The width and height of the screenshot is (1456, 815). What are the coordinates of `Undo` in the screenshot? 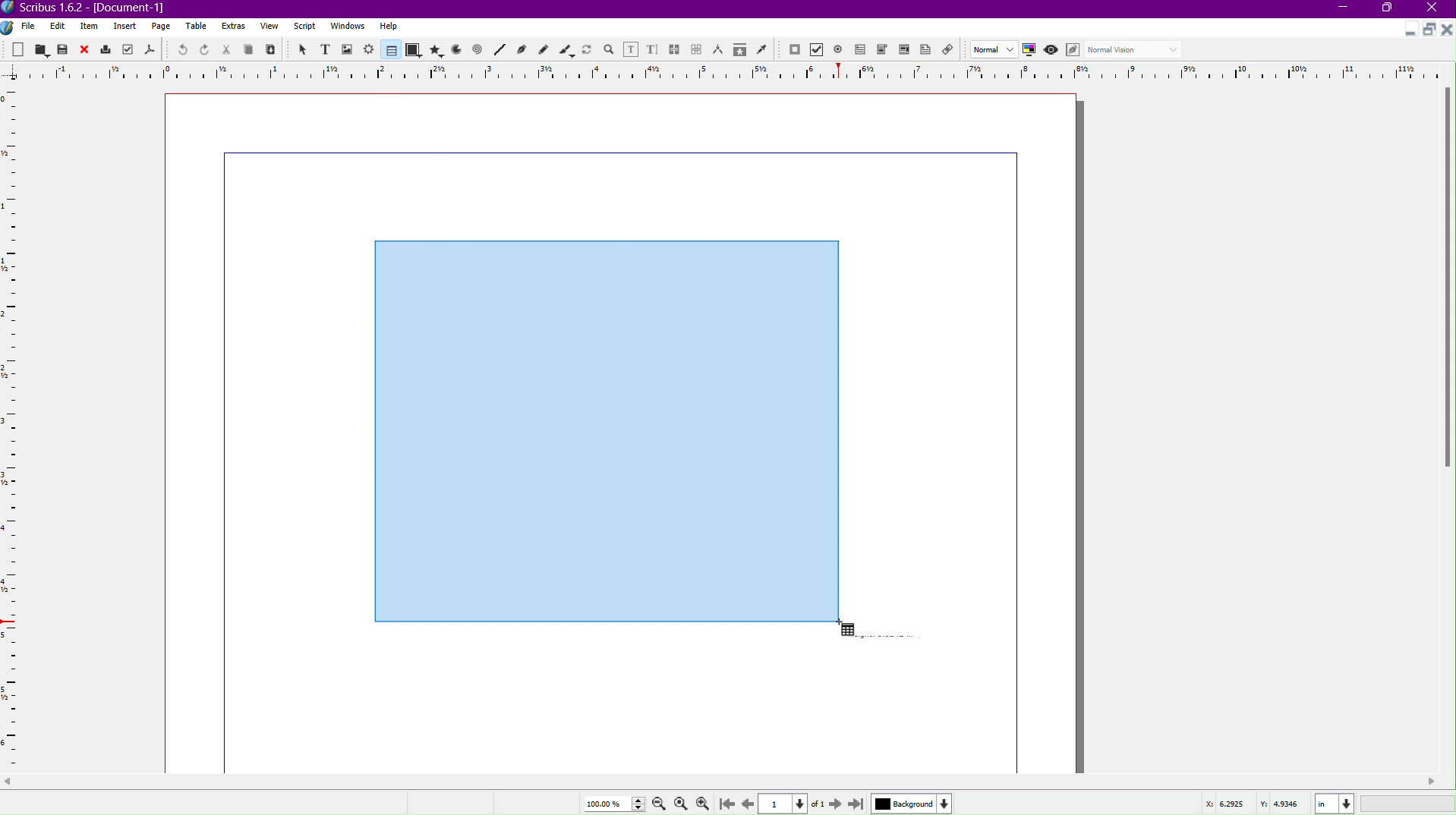 It's located at (178, 49).